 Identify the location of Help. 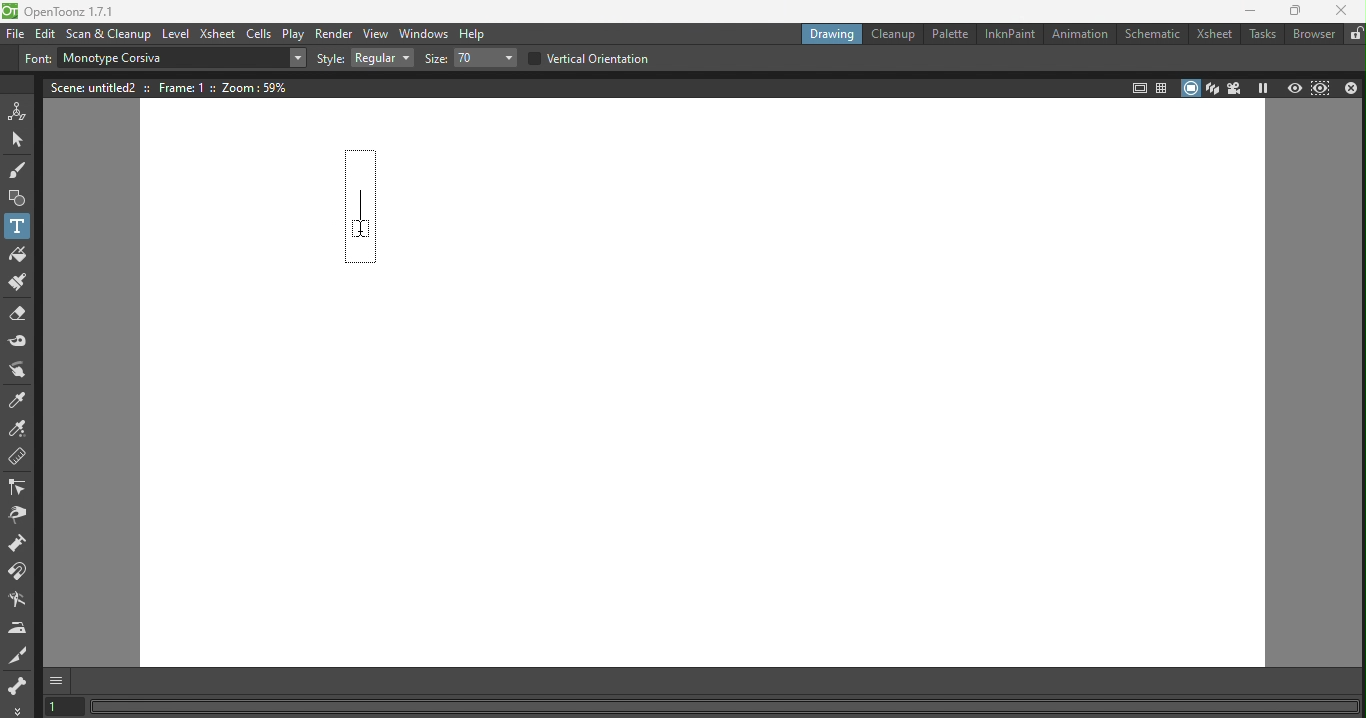
(477, 32).